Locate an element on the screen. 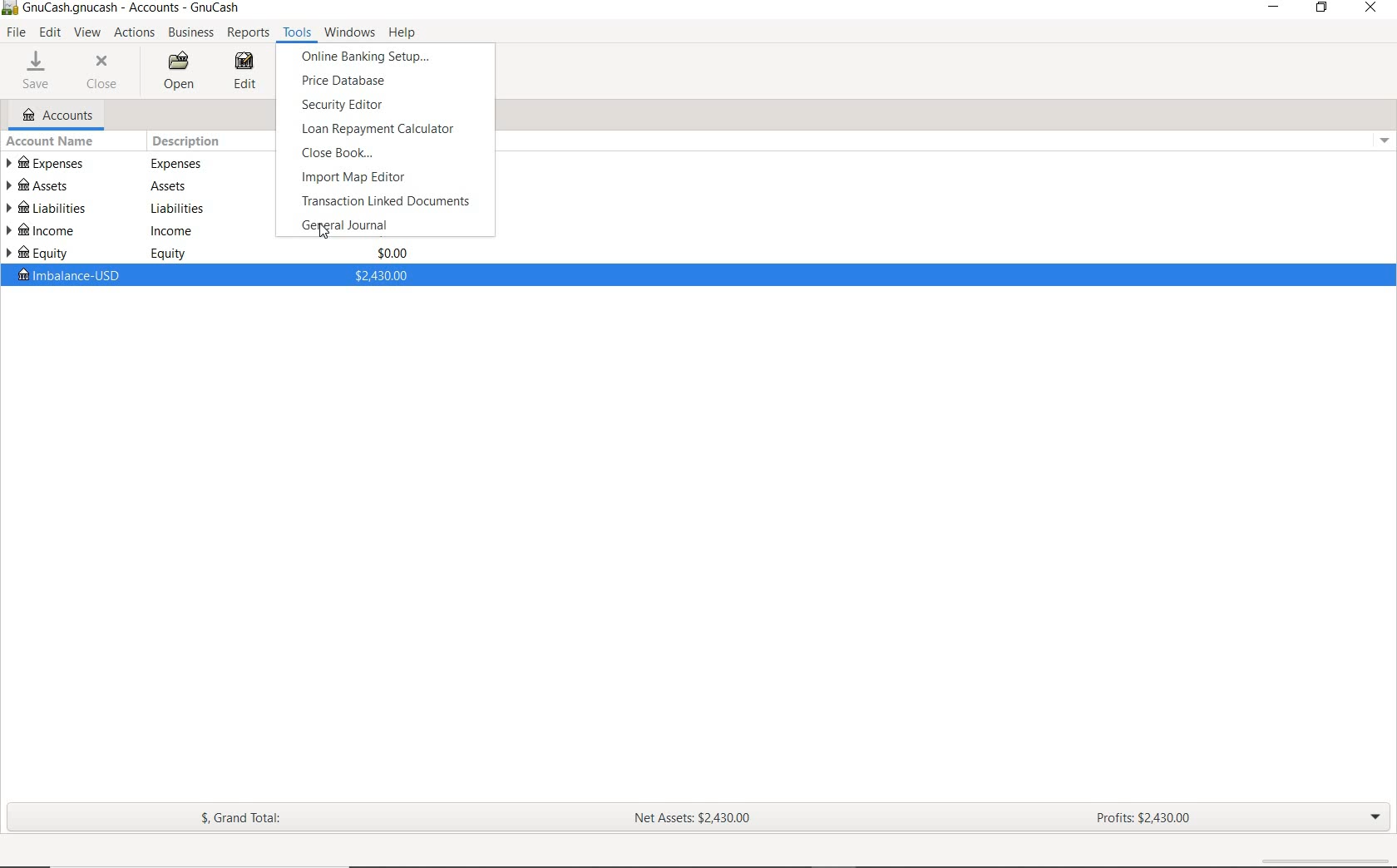 The height and width of the screenshot is (868, 1397). NET ASSETS is located at coordinates (691, 818).